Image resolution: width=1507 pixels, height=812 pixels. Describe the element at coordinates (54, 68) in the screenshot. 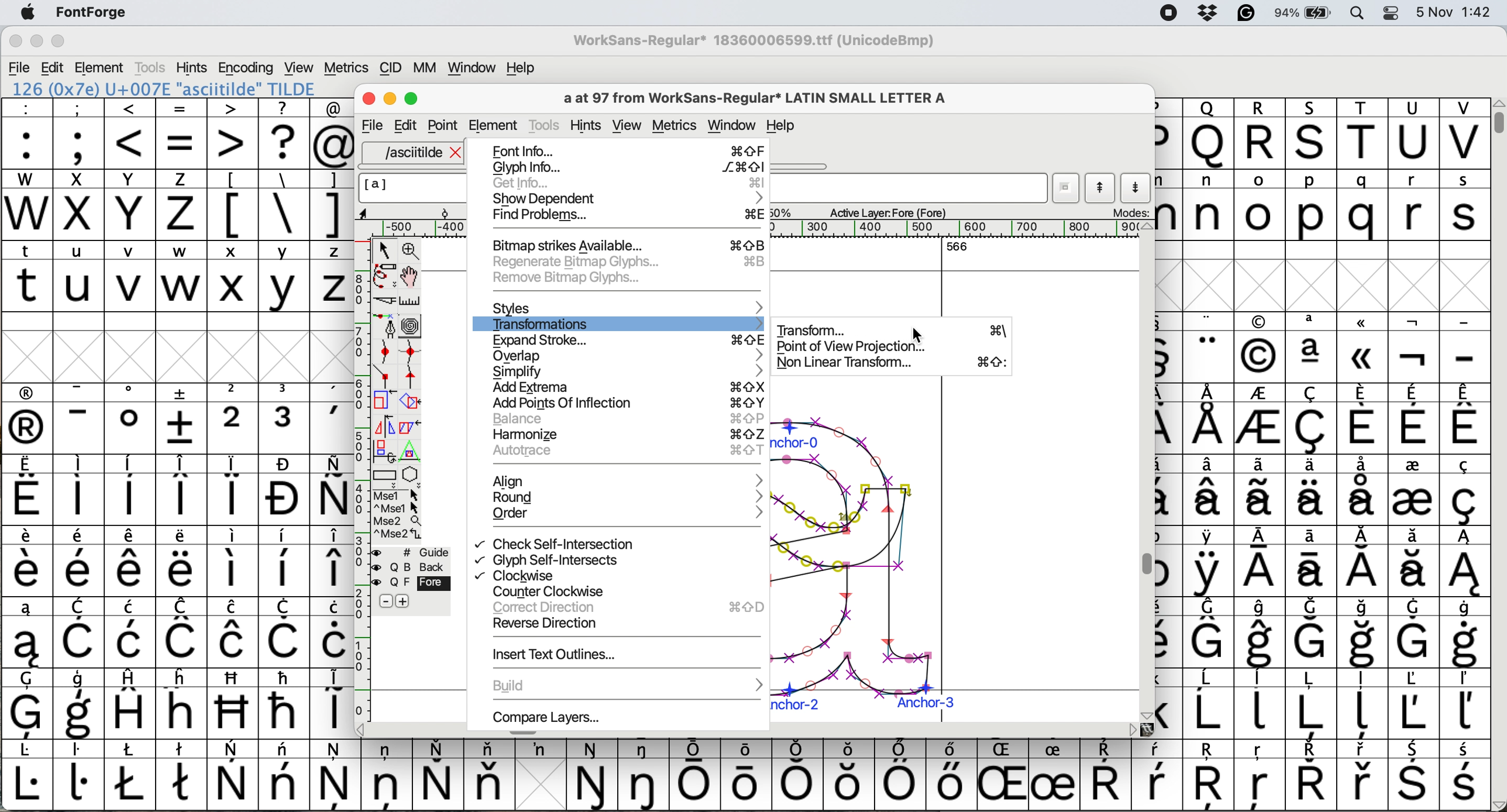

I see `edit` at that location.